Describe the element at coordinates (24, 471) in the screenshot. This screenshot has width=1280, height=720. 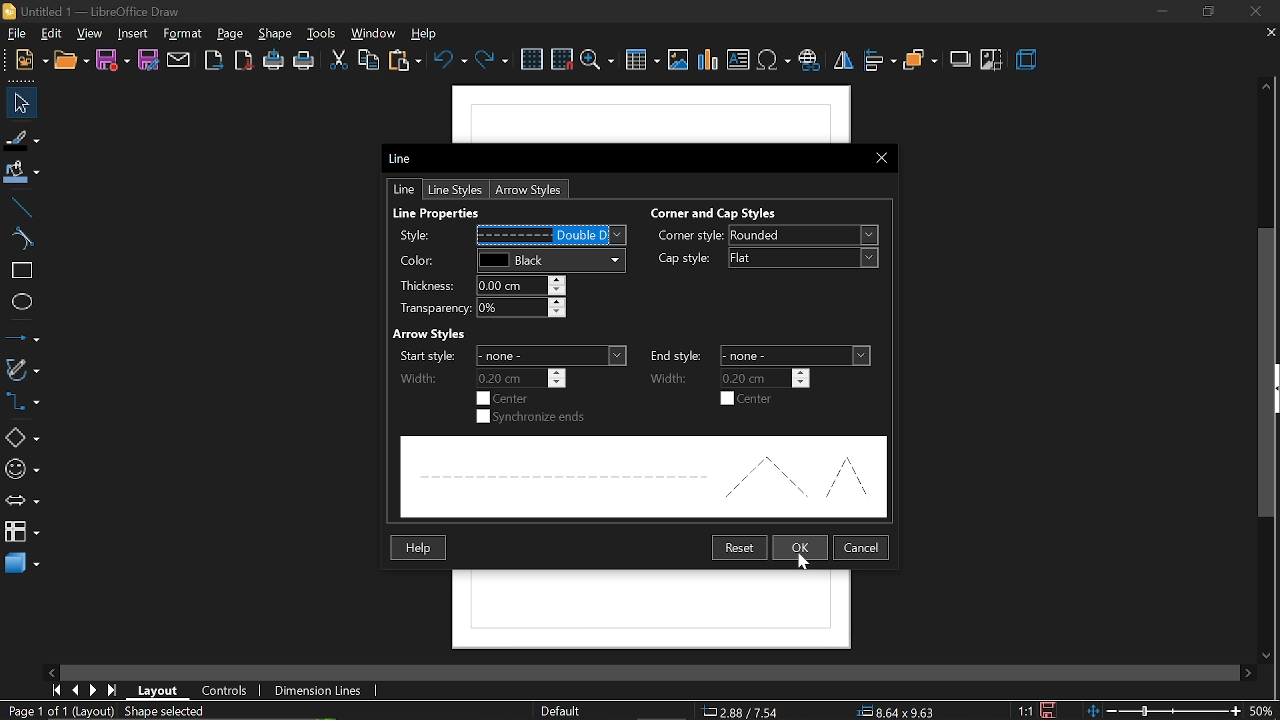
I see ` symbol shapes` at that location.